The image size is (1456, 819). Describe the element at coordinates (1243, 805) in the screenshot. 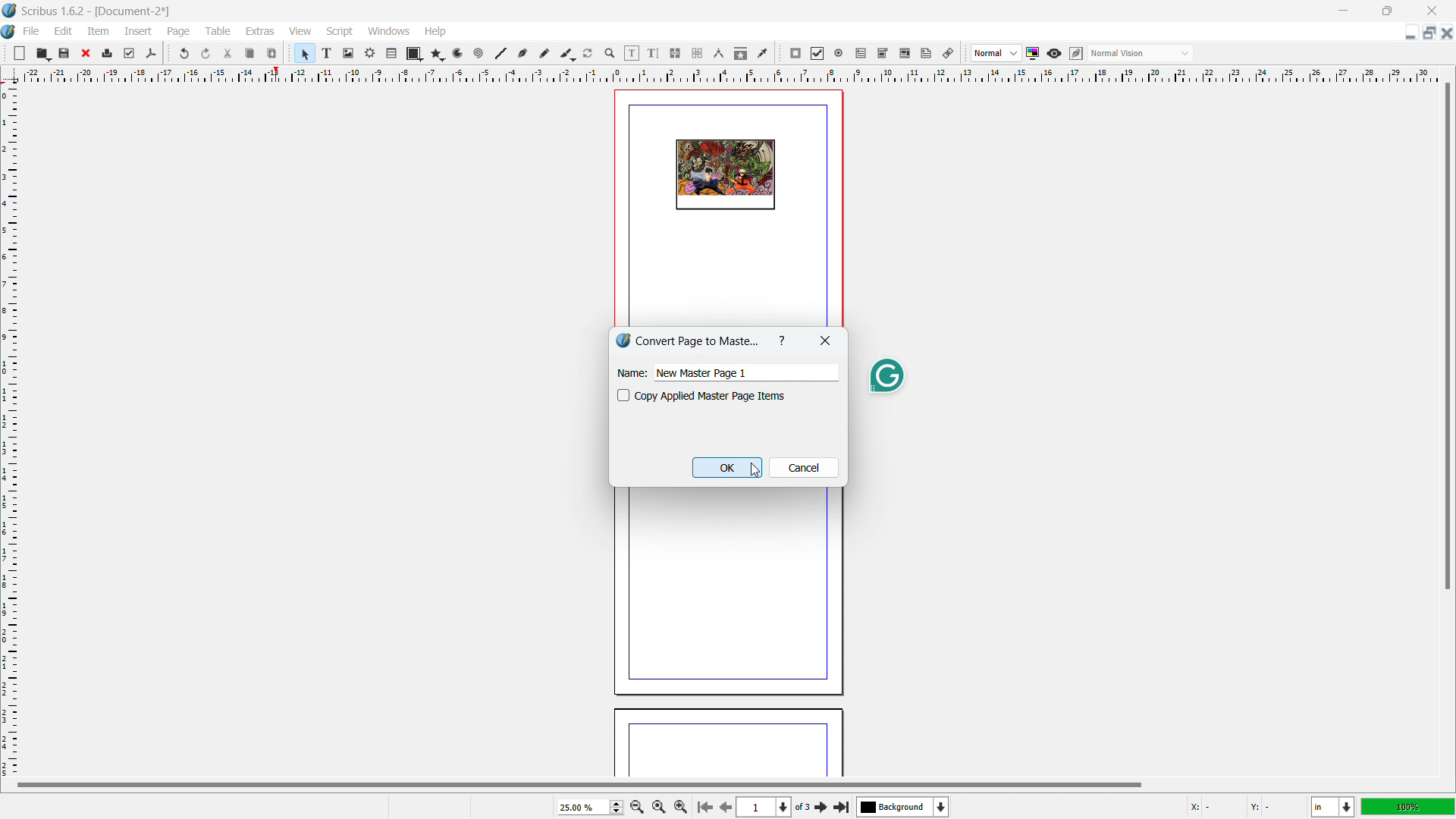

I see `cursor coordinate` at that location.